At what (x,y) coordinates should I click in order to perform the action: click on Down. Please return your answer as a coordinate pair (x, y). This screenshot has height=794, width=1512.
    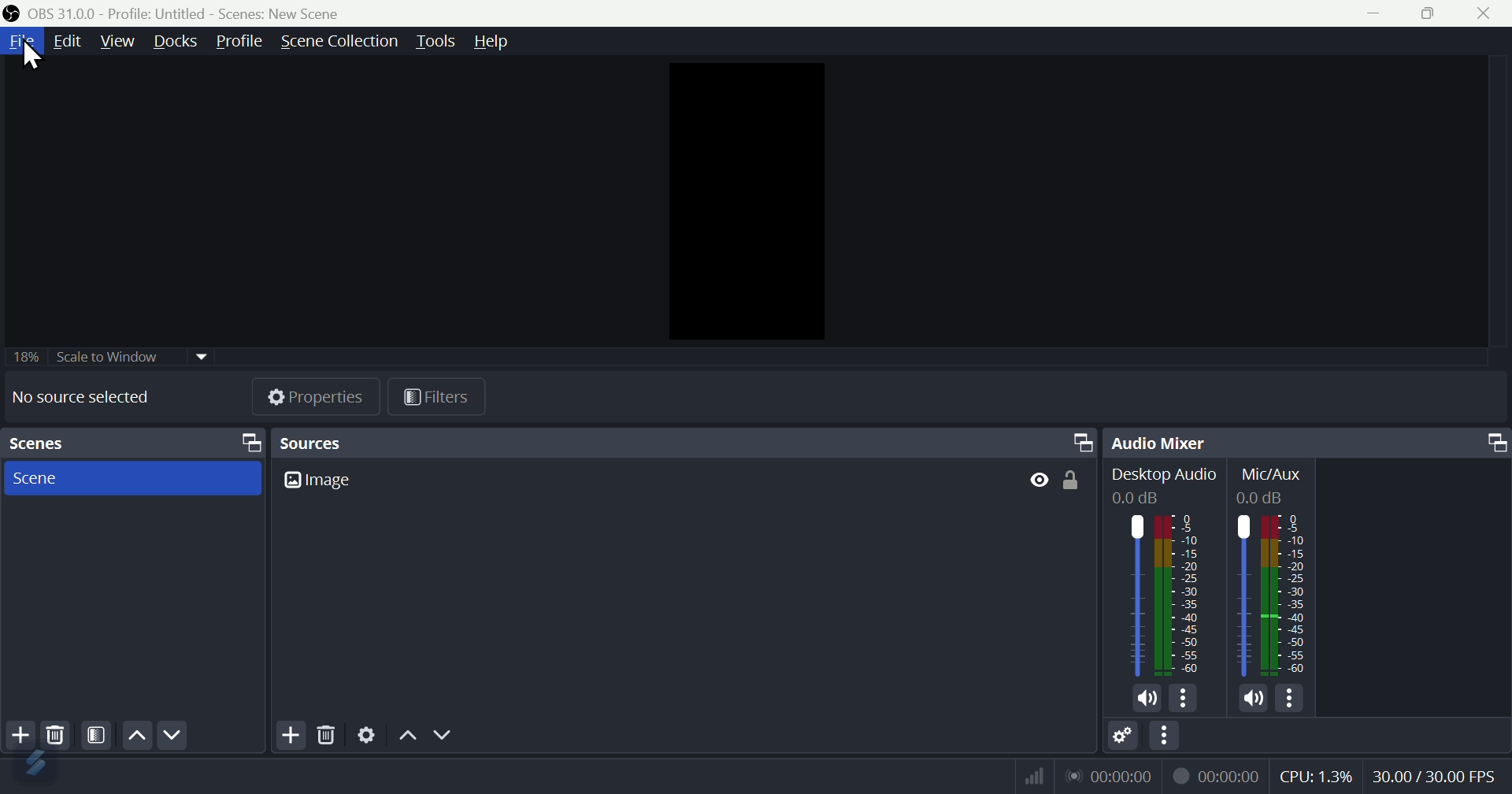
    Looking at the image, I should click on (175, 738).